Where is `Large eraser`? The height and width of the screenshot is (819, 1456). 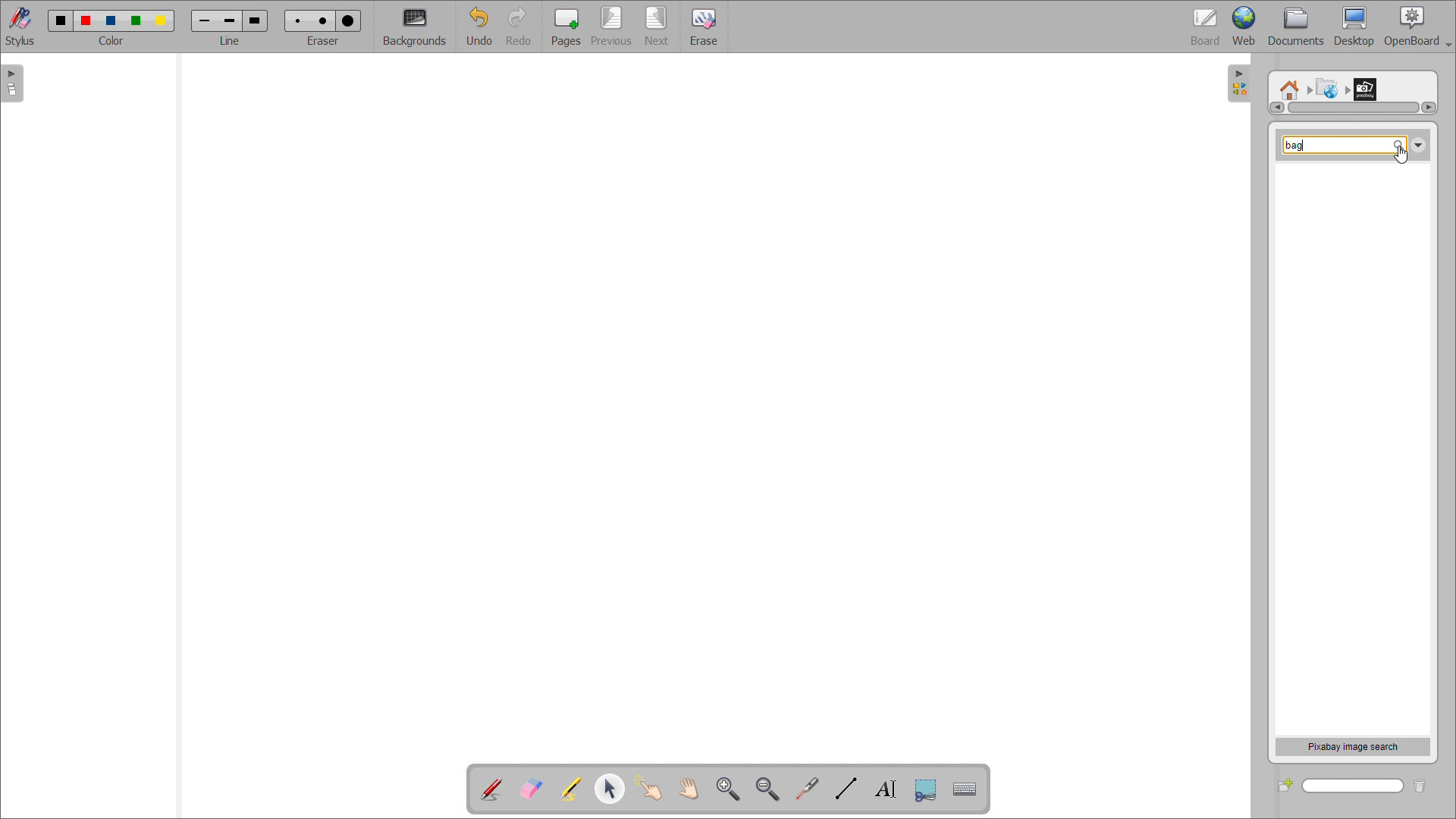
Large eraser is located at coordinates (351, 18).